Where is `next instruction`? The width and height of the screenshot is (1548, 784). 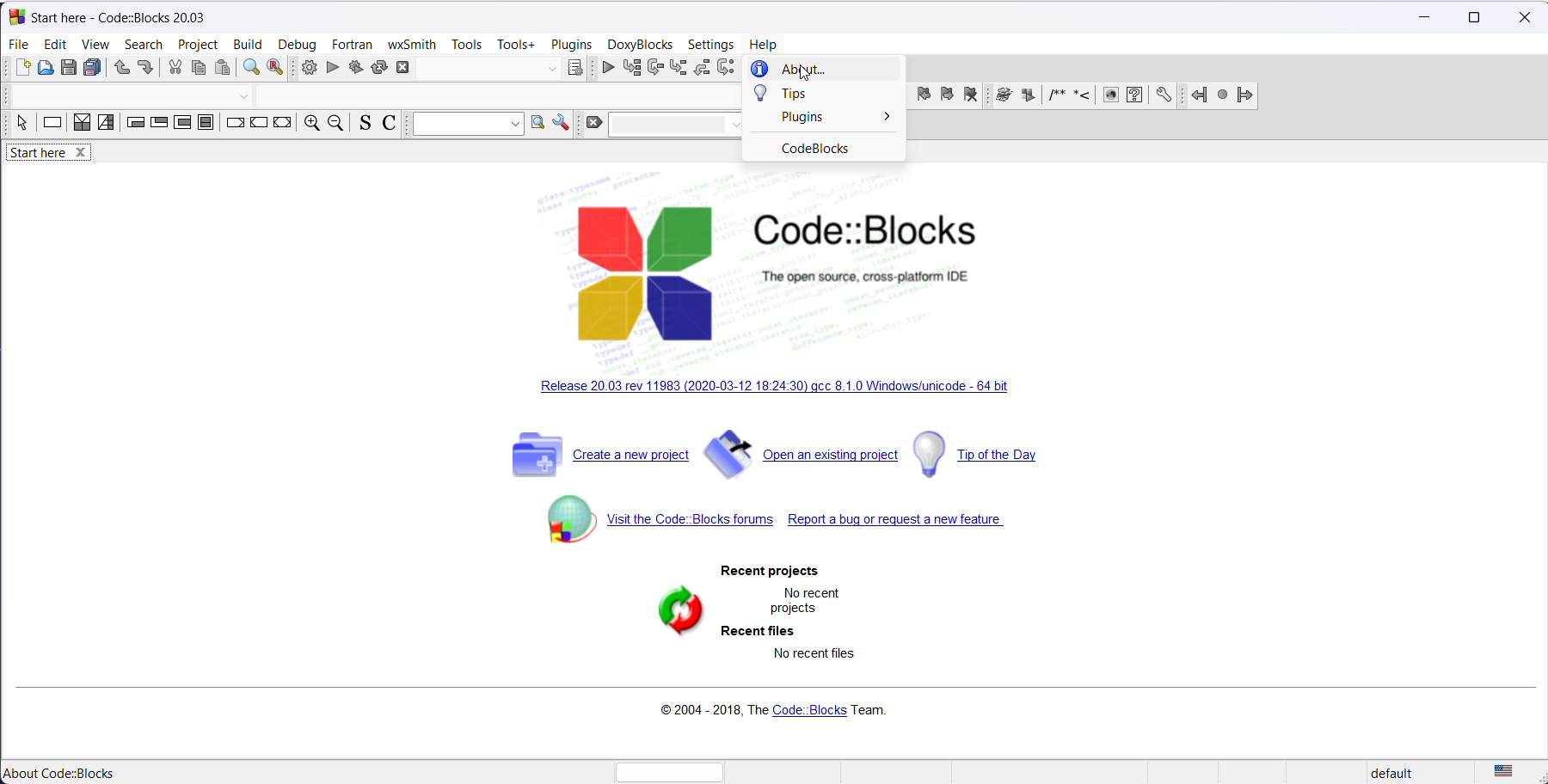 next instruction is located at coordinates (727, 70).